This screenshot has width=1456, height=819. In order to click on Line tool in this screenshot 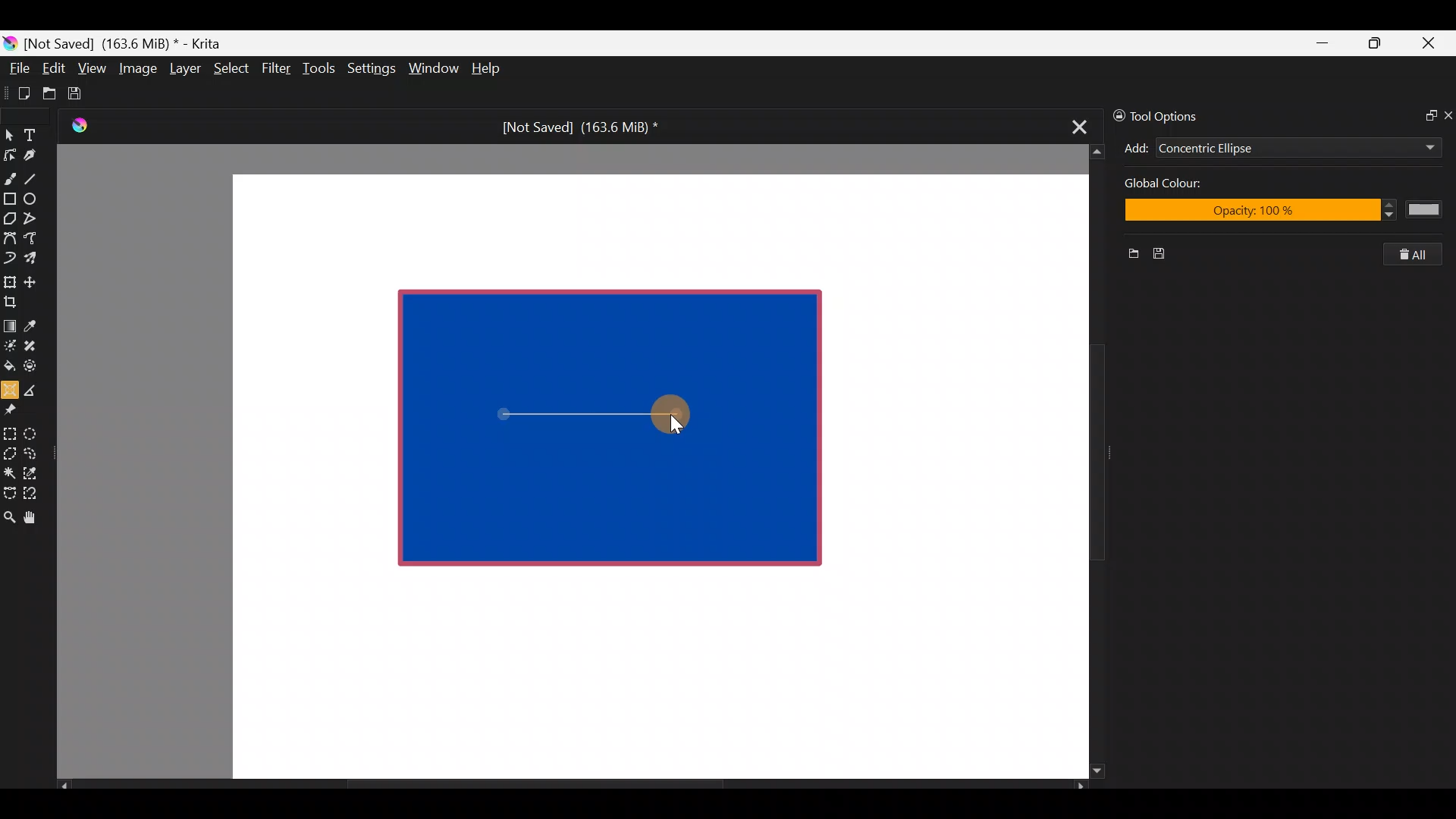, I will do `click(40, 177)`.